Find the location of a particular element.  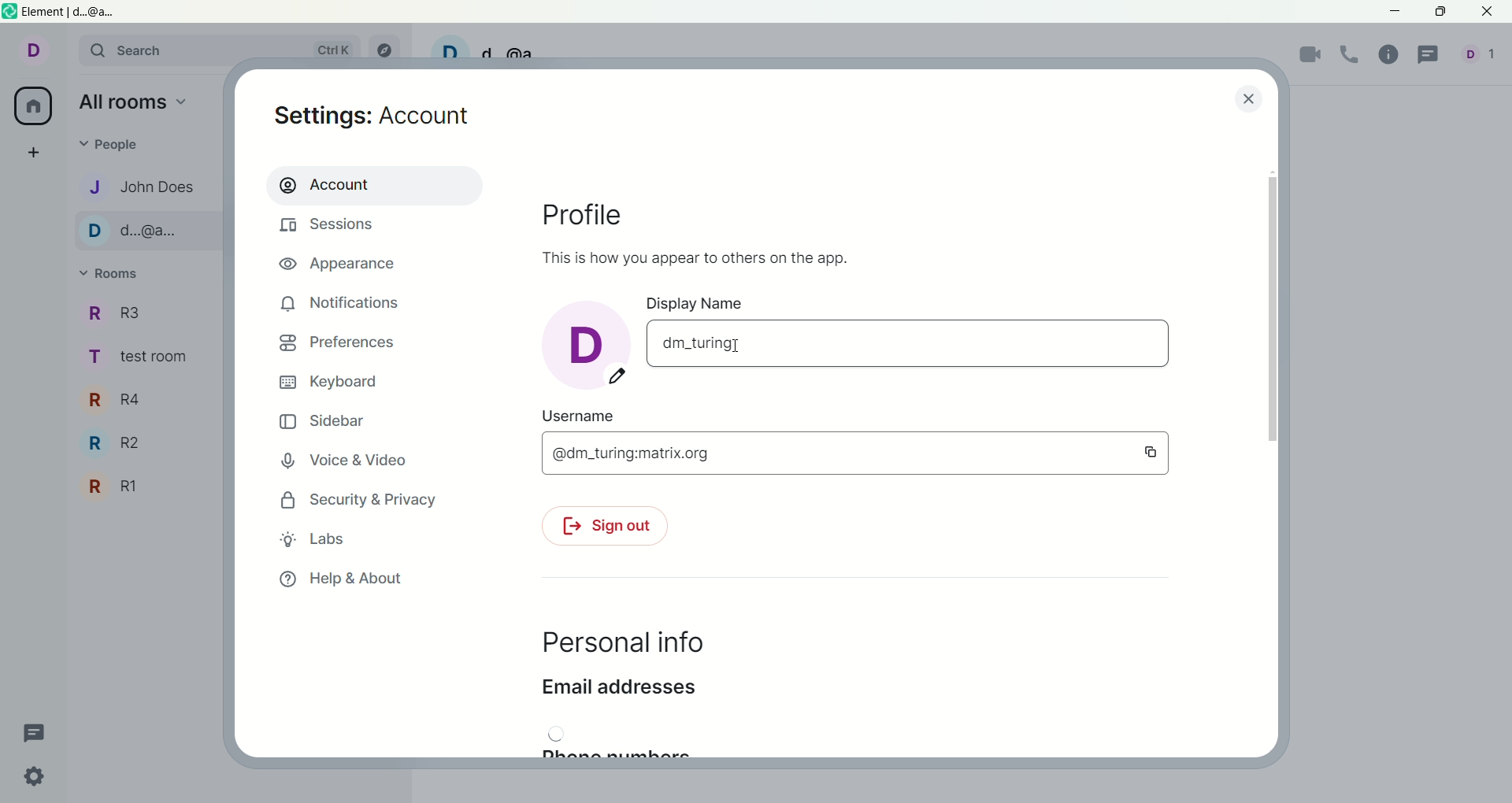

profile is located at coordinates (591, 212).